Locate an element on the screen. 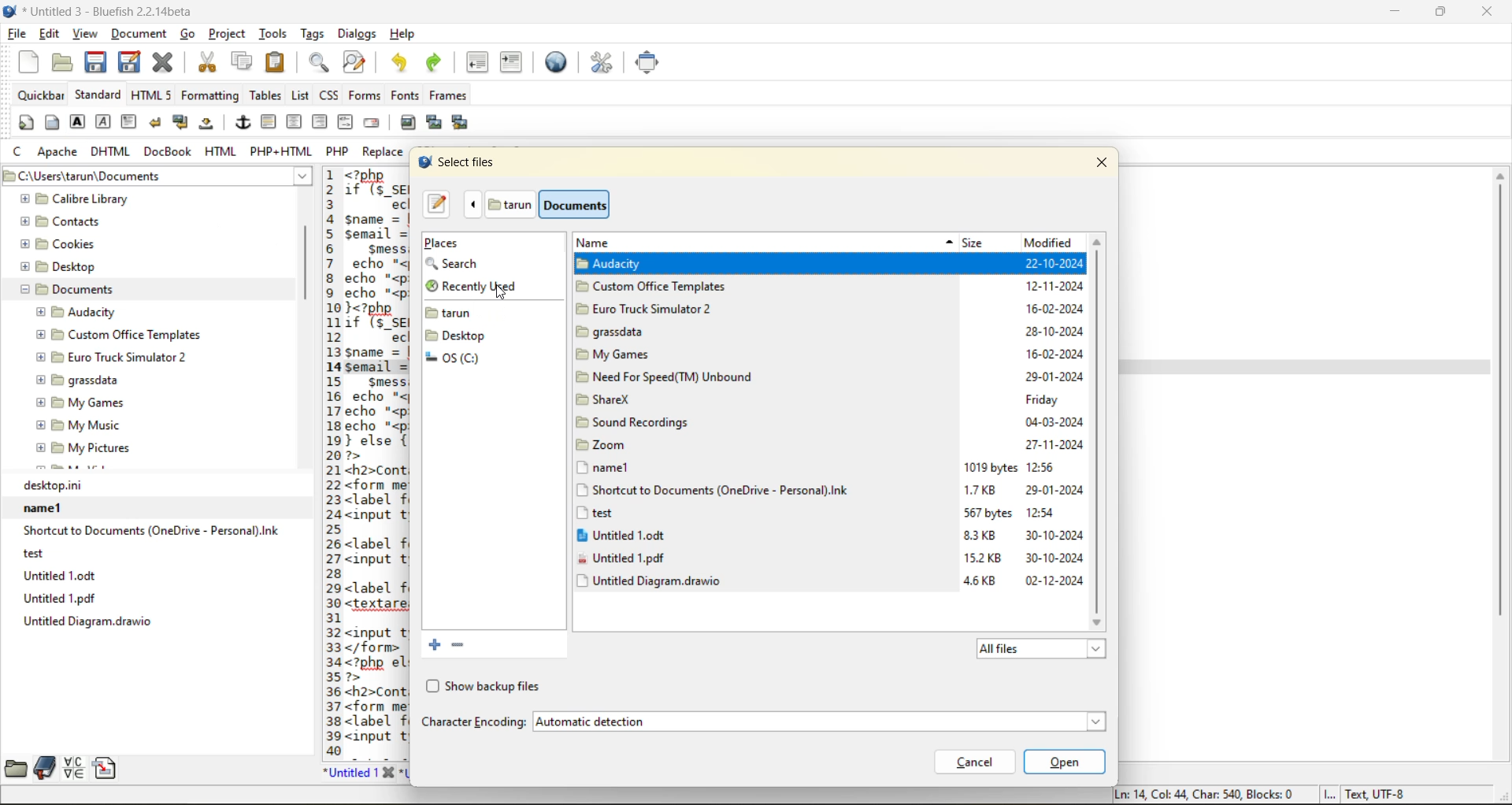 Image resolution: width=1512 pixels, height=805 pixels. line number is located at coordinates (328, 462).